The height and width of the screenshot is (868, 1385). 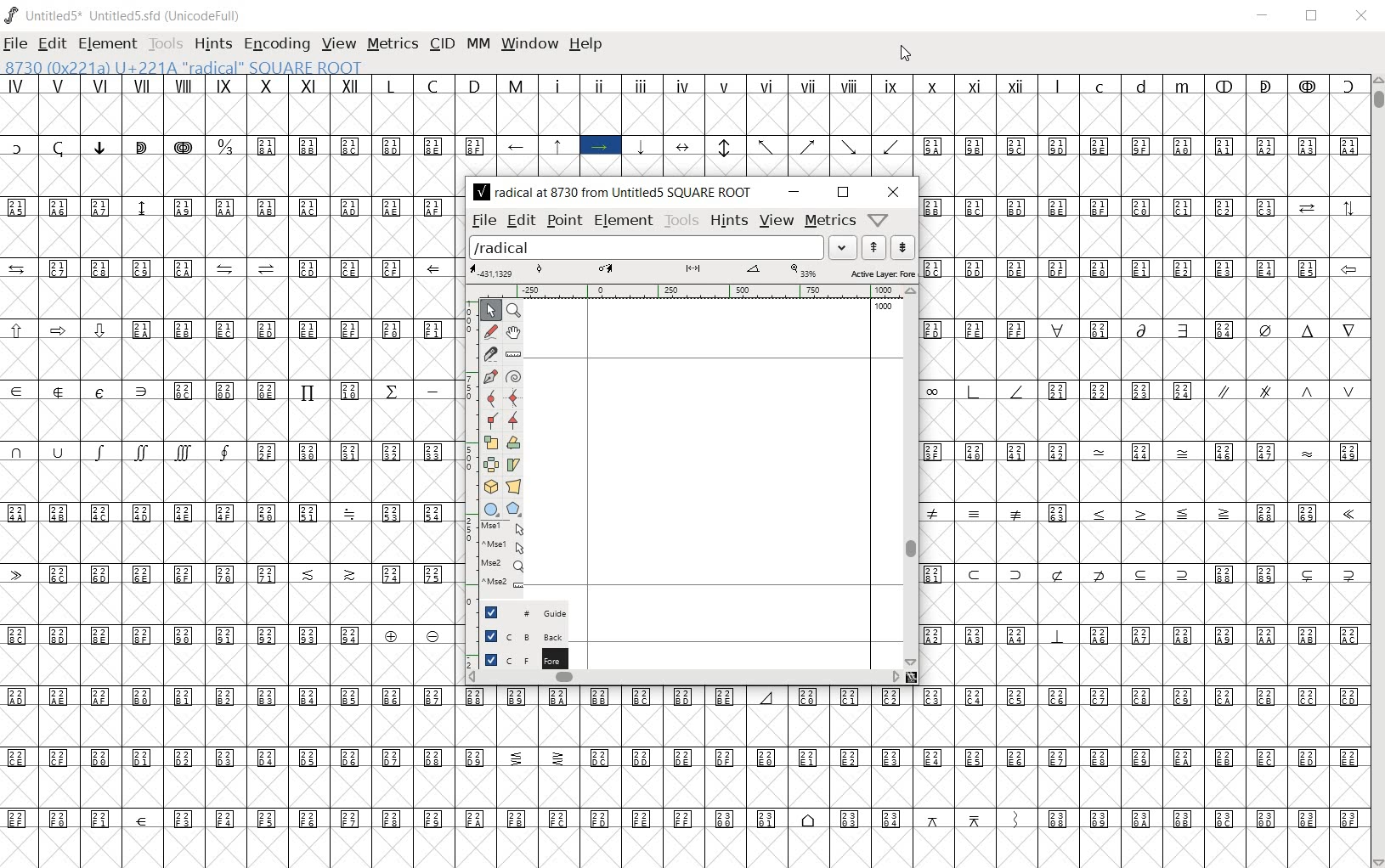 What do you see at coordinates (226, 67) in the screenshot?
I see `8730 (0x221a) U+221A "radical" SQUARE ROOT` at bounding box center [226, 67].